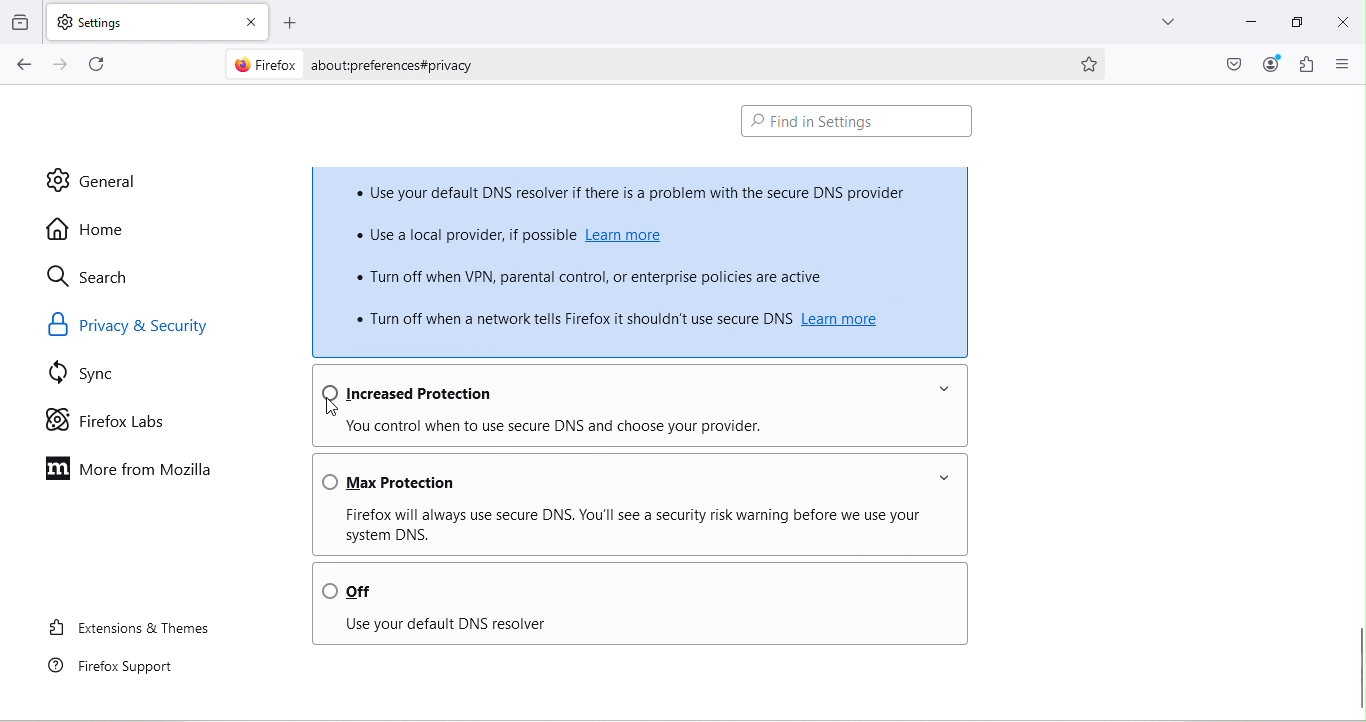 The height and width of the screenshot is (722, 1366). I want to click on Open application menu, so click(1341, 64).